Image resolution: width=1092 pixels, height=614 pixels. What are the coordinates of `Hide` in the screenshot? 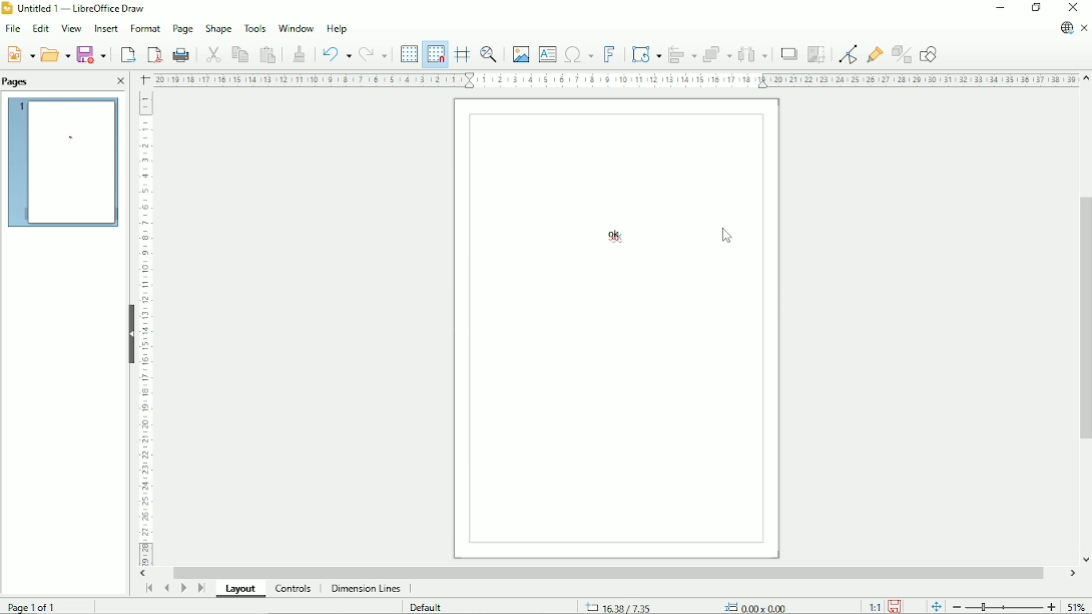 It's located at (129, 331).